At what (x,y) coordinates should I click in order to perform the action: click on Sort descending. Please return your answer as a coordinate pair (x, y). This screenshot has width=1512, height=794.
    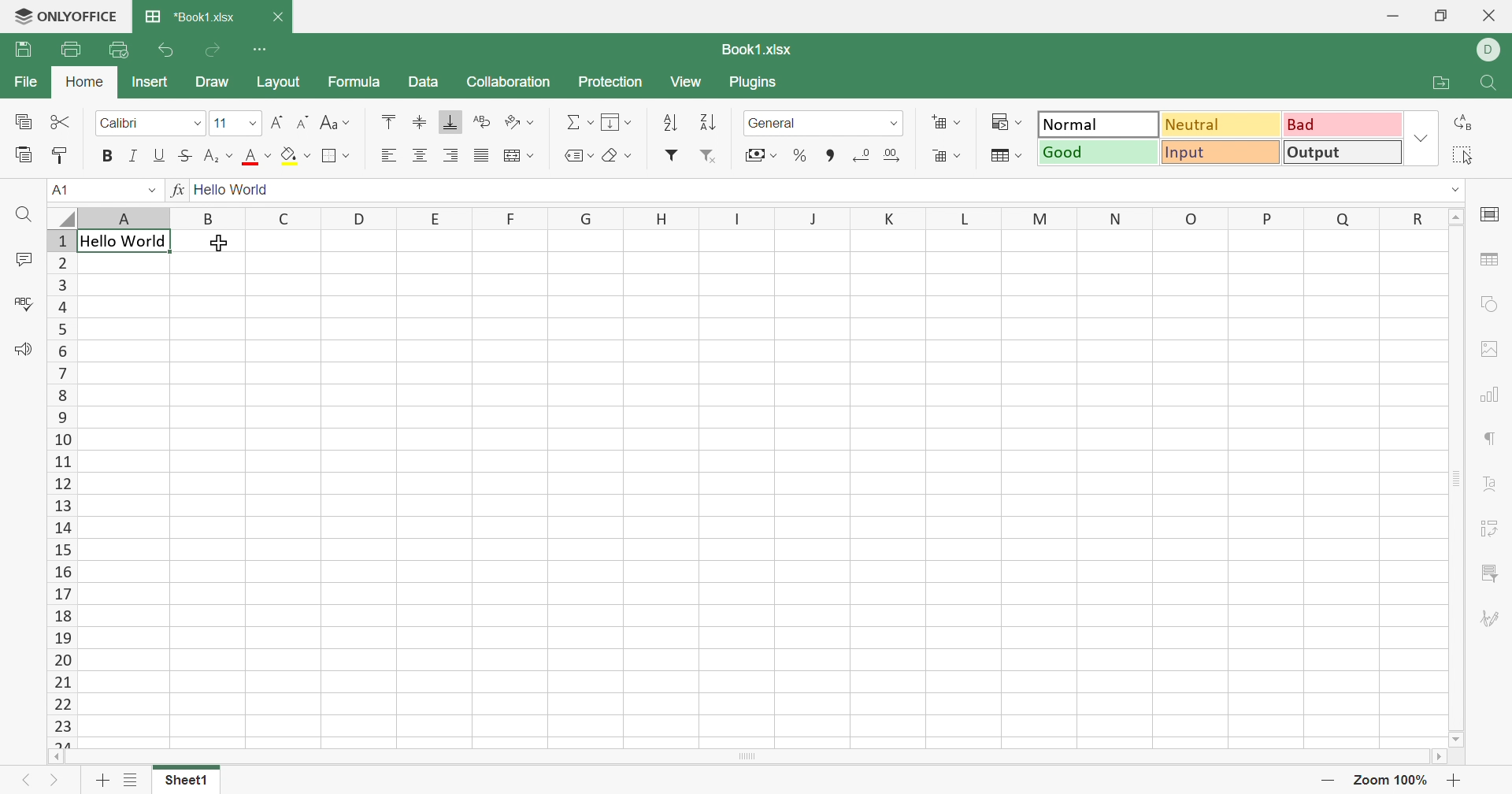
    Looking at the image, I should click on (708, 122).